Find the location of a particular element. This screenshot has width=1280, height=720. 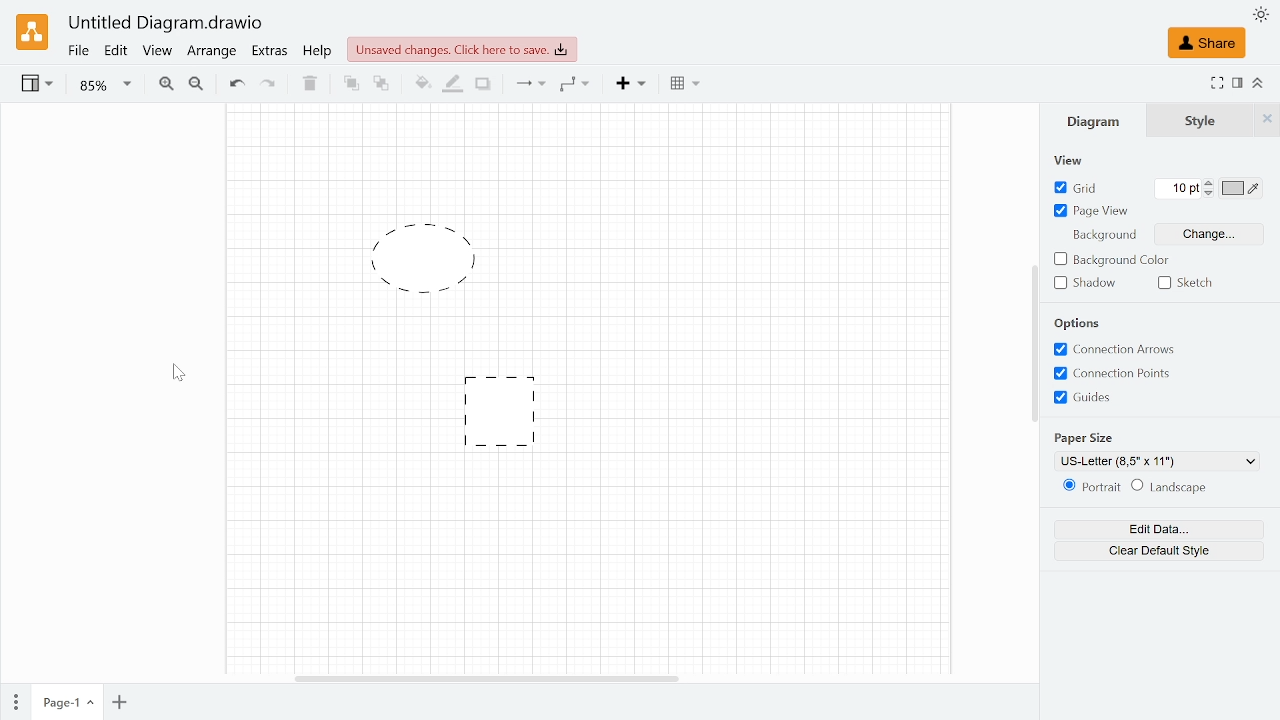

Background is located at coordinates (1102, 237).